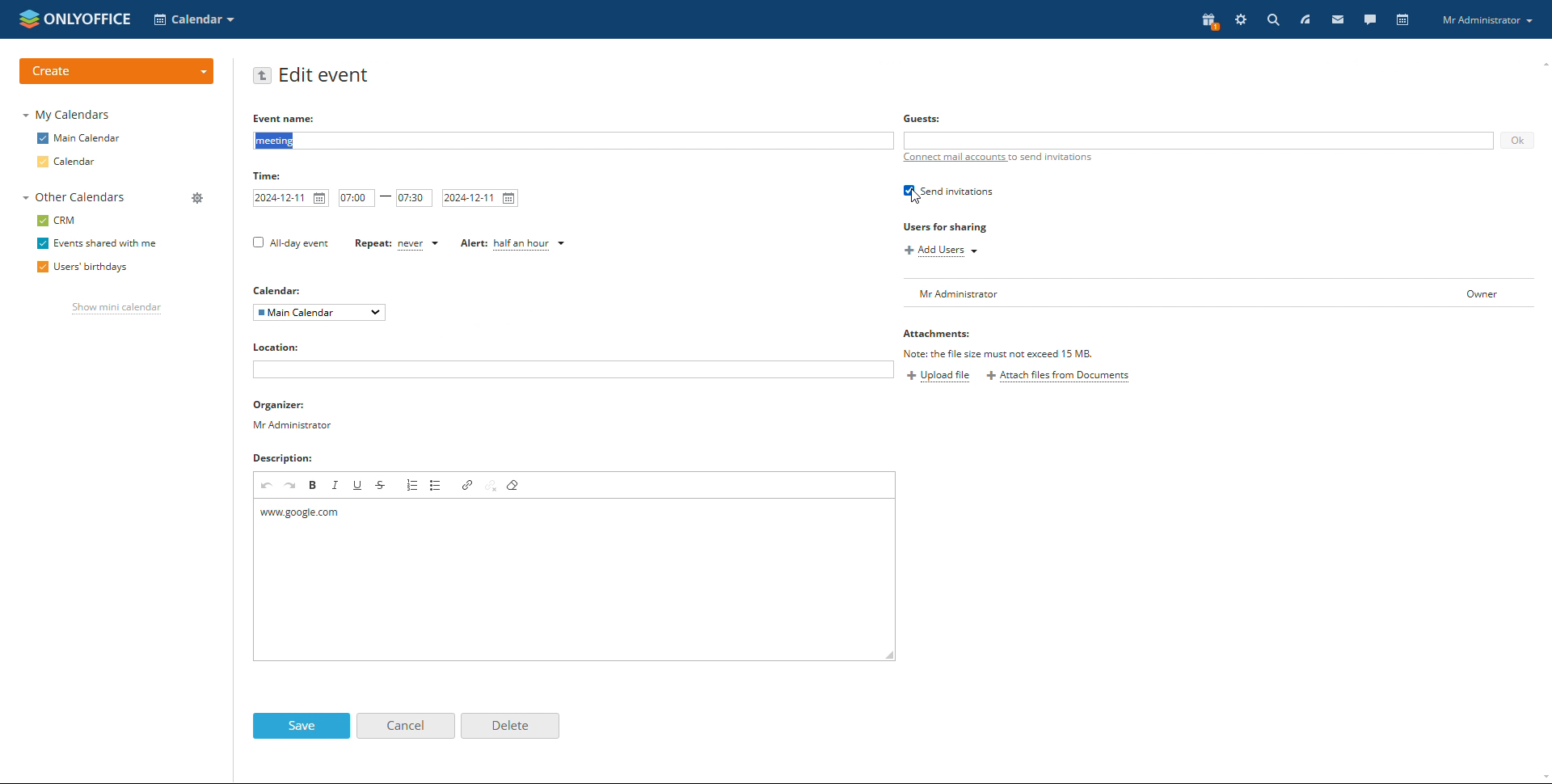 Image resolution: width=1552 pixels, height=784 pixels. What do you see at coordinates (530, 245) in the screenshot?
I see `alert type` at bounding box center [530, 245].